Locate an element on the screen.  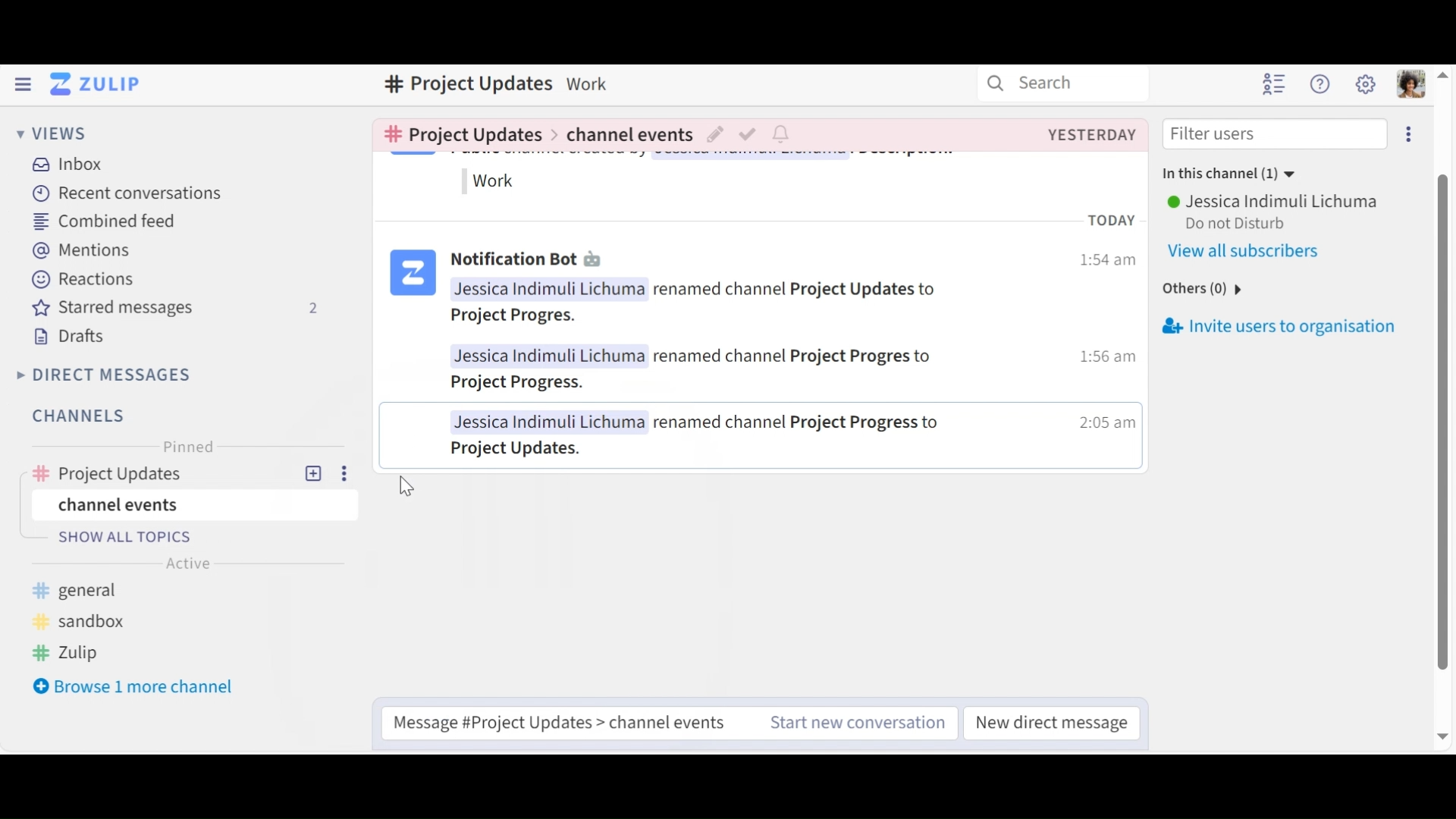
Message #Project Updates > channel events is located at coordinates (565, 723).